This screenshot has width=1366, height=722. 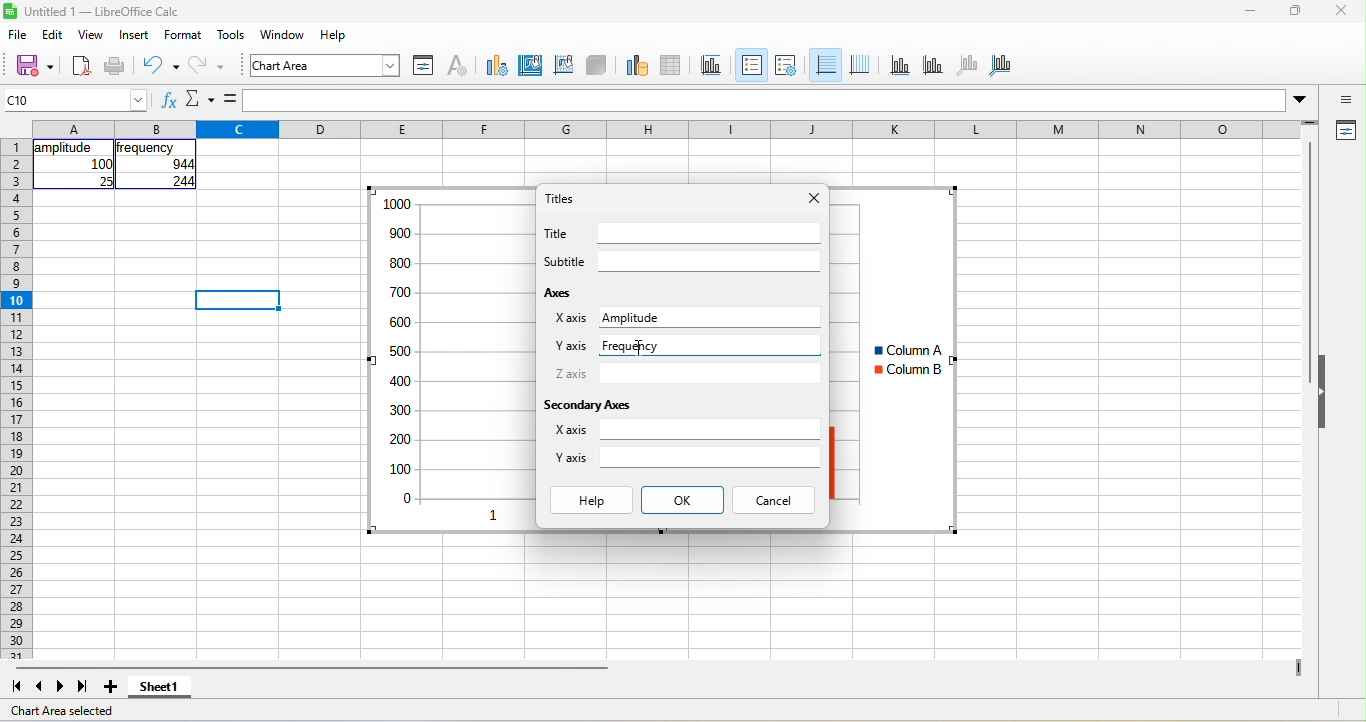 I want to click on X axis, so click(x=571, y=318).